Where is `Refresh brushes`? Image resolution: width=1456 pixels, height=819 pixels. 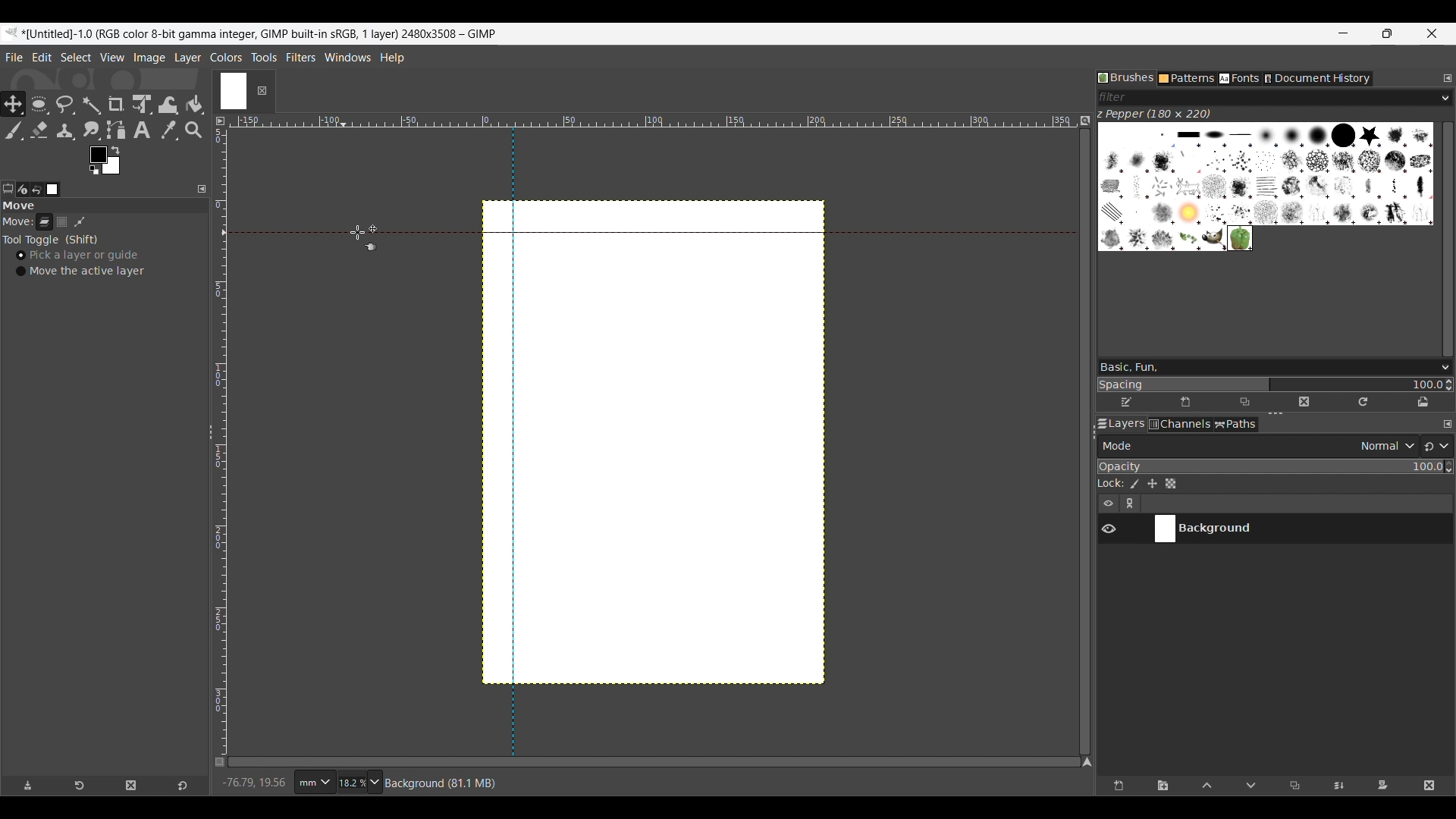
Refresh brushes is located at coordinates (1363, 403).